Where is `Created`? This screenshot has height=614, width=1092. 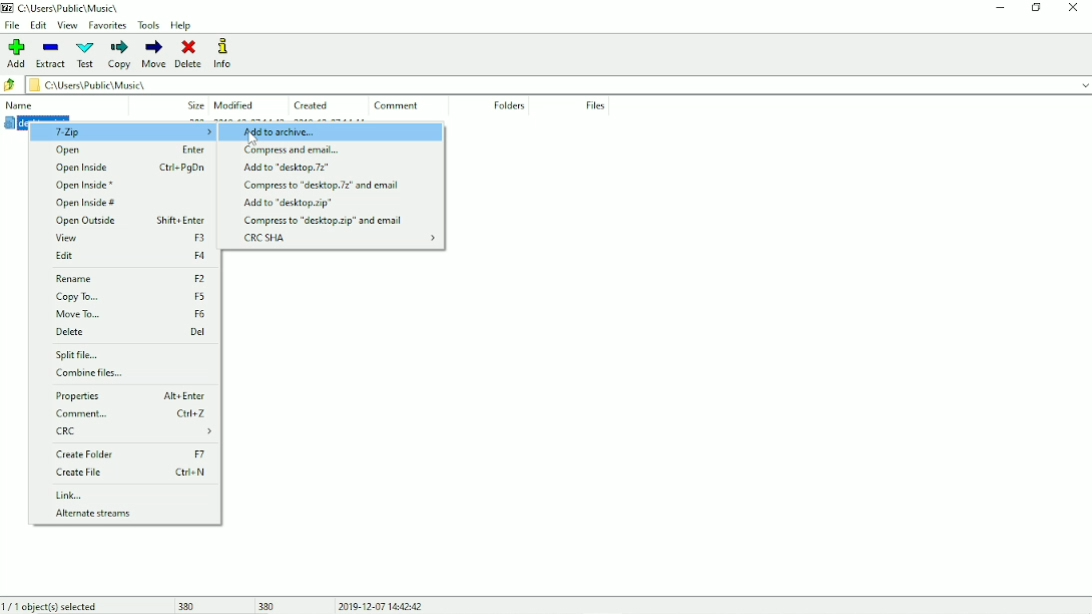 Created is located at coordinates (312, 106).